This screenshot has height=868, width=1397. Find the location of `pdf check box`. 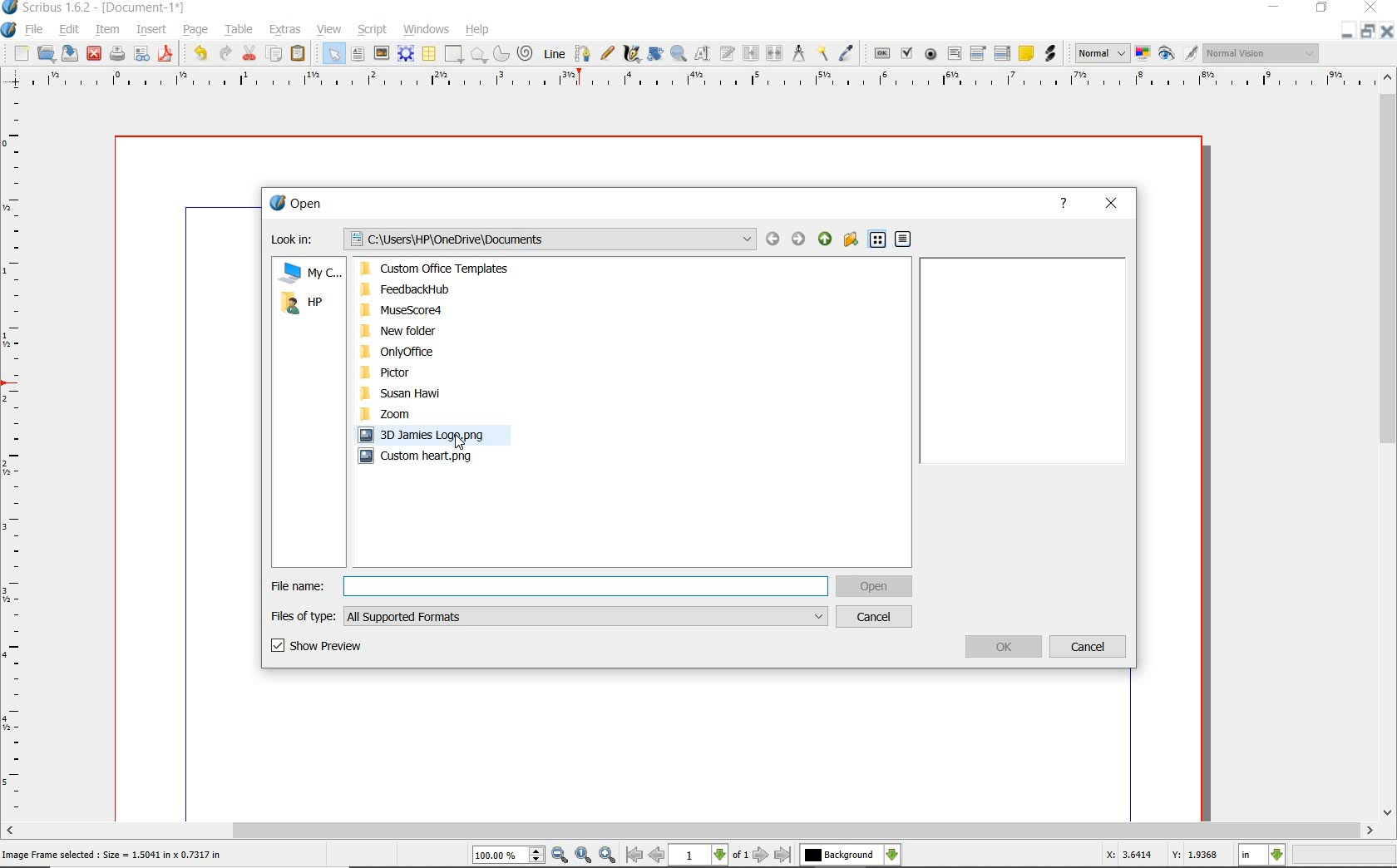

pdf check box is located at coordinates (909, 55).